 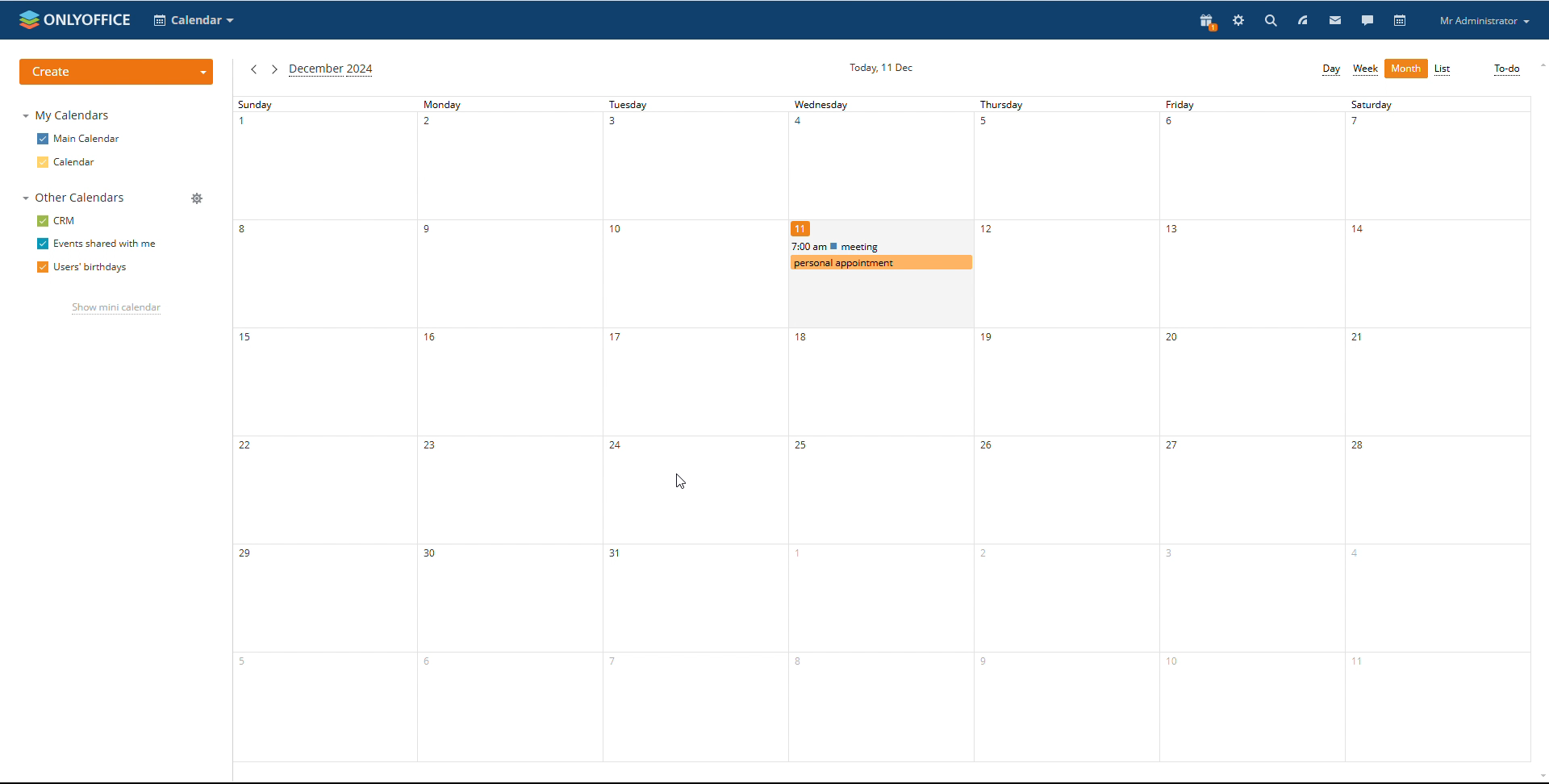 What do you see at coordinates (335, 71) in the screenshot?
I see `current month` at bounding box center [335, 71].